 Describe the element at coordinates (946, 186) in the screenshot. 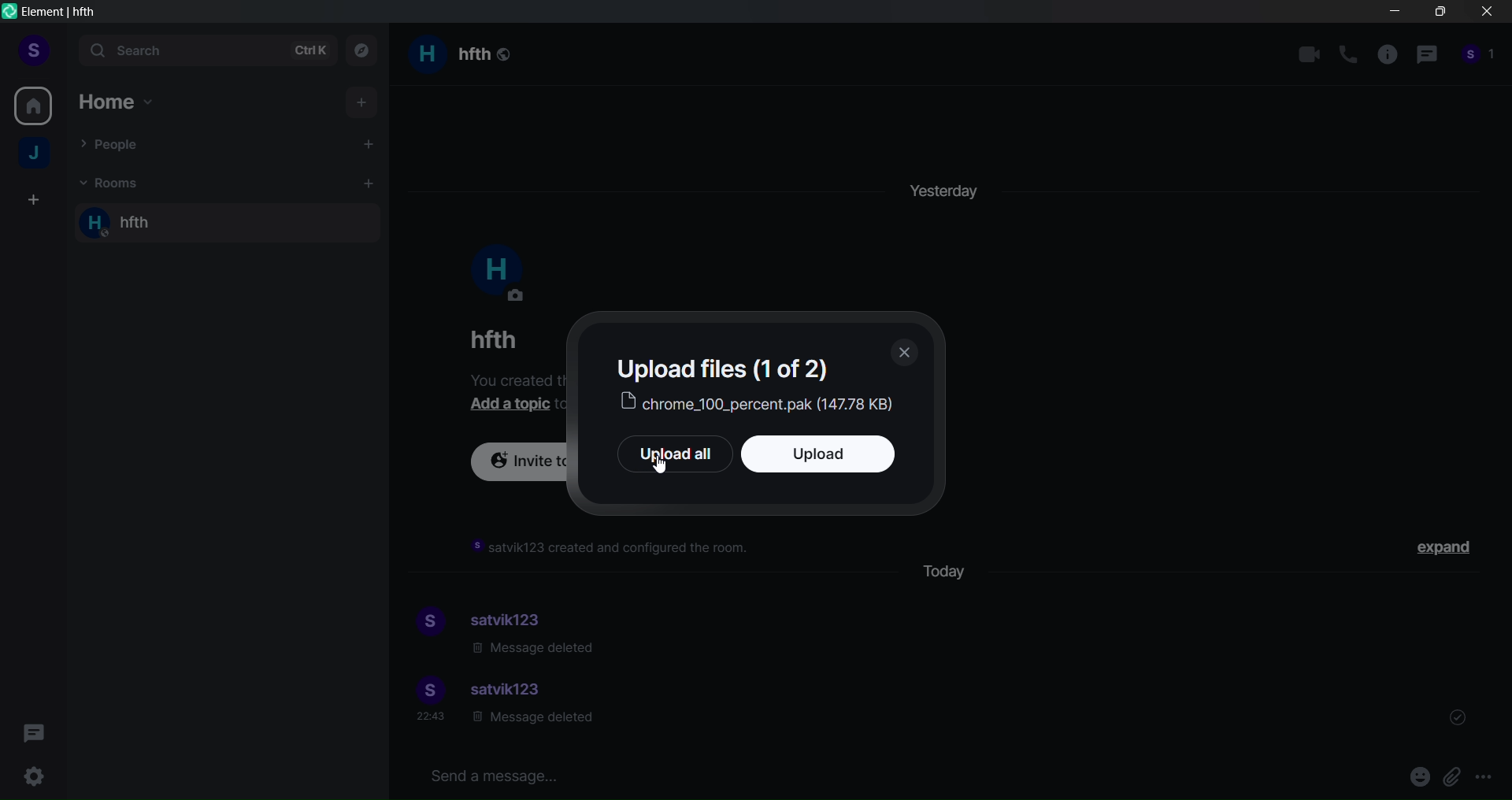

I see `yesterday` at that location.